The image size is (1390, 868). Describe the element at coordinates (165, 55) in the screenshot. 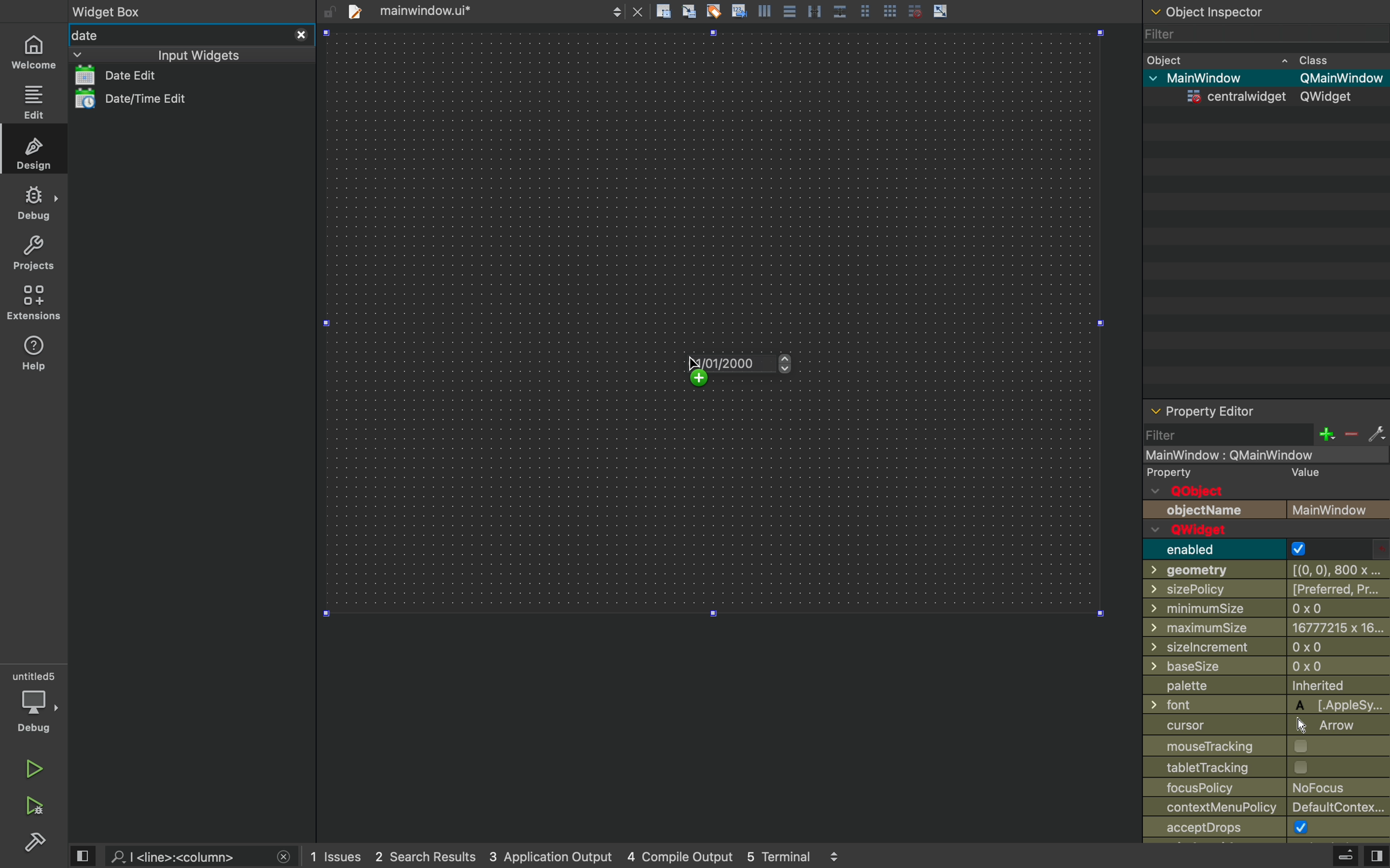

I see `input widgets` at that location.